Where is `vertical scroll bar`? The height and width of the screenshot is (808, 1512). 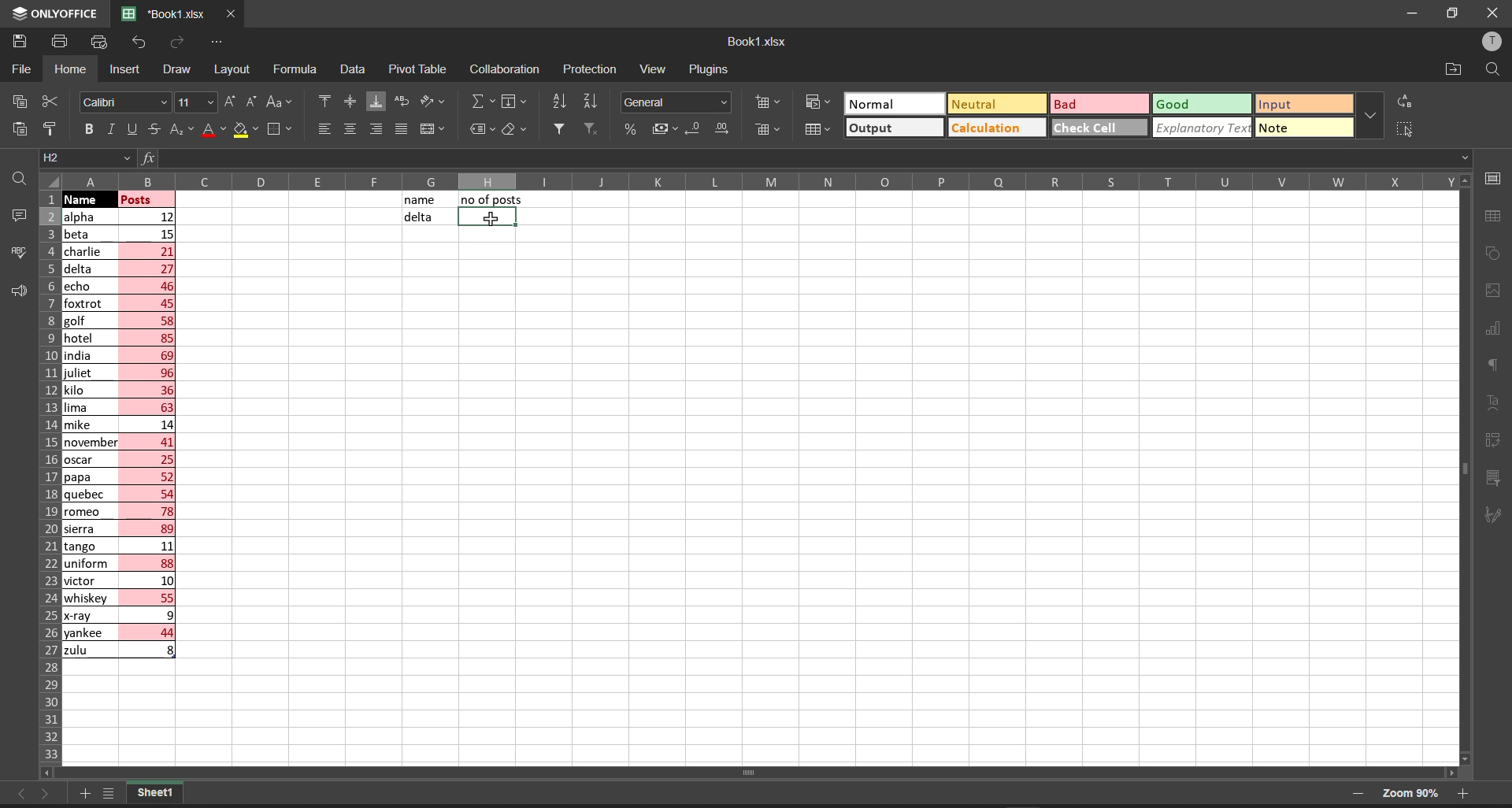
vertical scroll bar is located at coordinates (1464, 474).